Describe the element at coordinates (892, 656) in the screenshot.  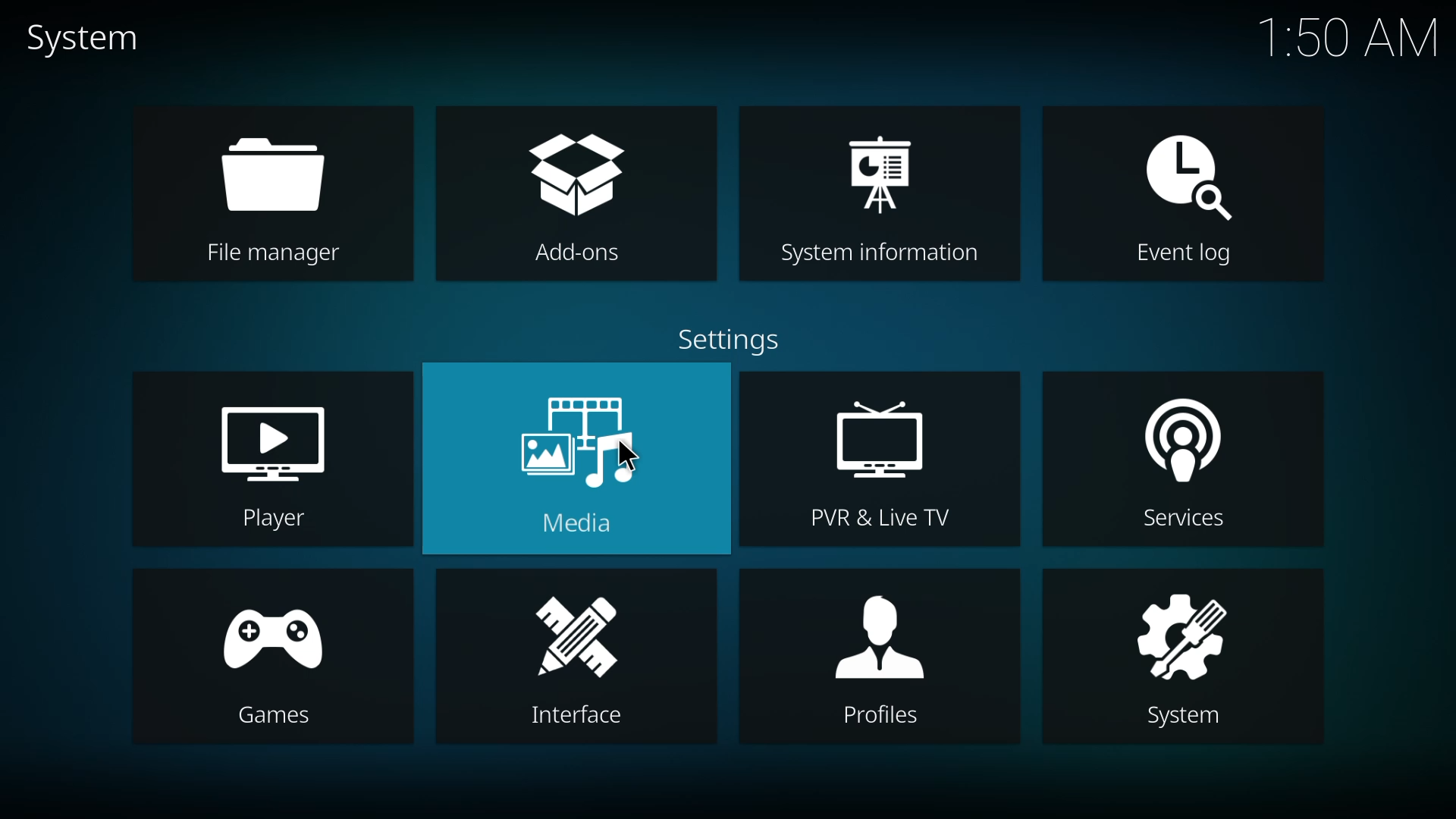
I see `profiles` at that location.